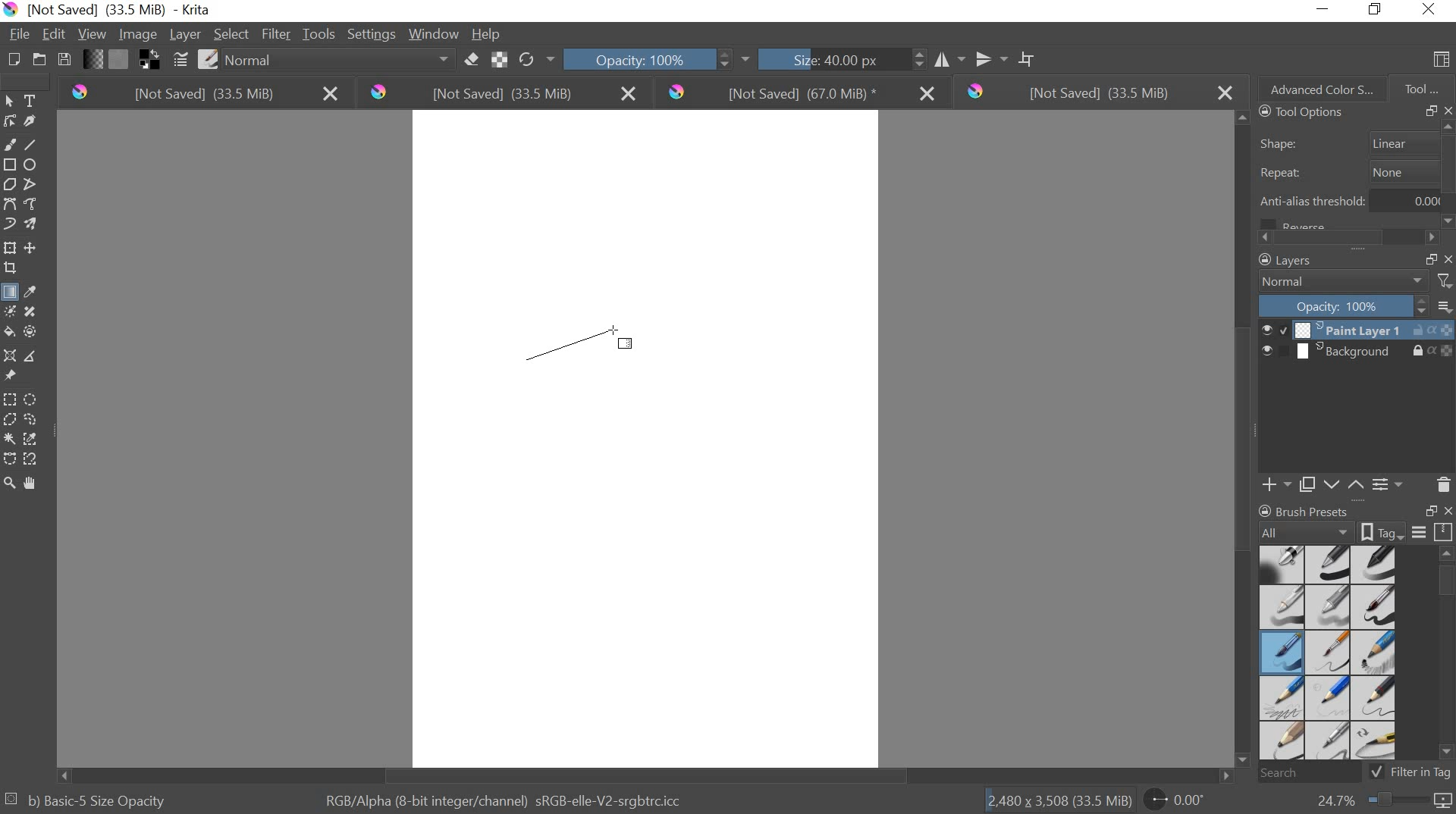  I want to click on freehand, so click(9, 145).